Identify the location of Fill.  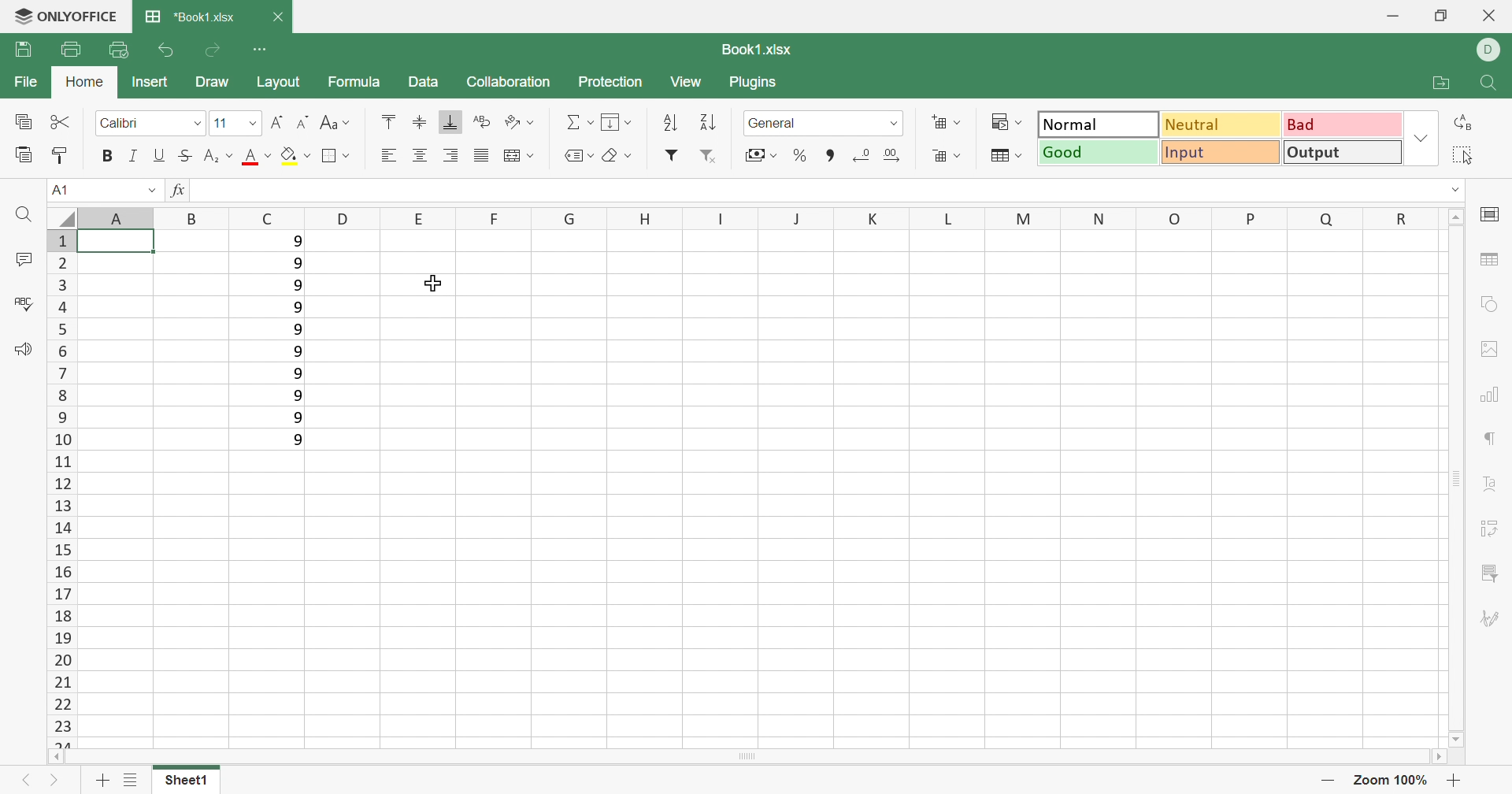
(617, 121).